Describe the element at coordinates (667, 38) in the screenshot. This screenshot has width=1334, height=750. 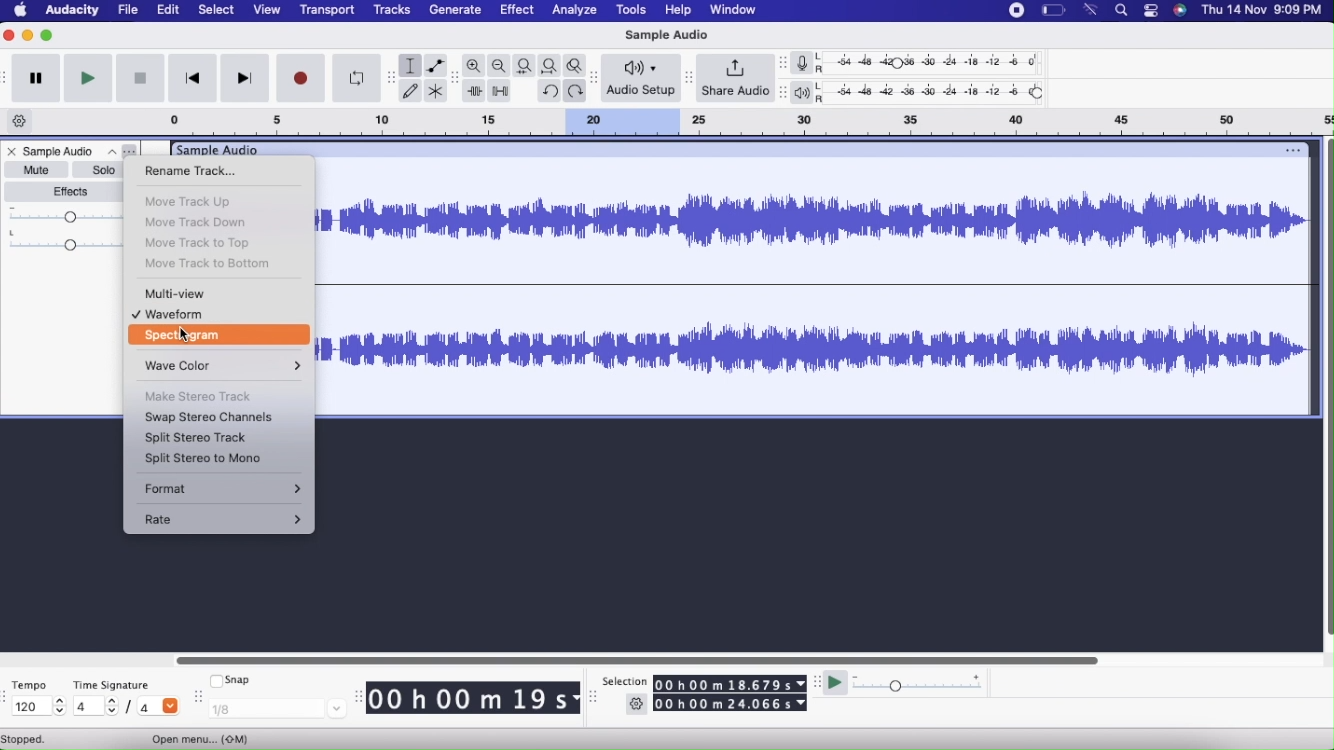
I see `Sample Audio` at that location.